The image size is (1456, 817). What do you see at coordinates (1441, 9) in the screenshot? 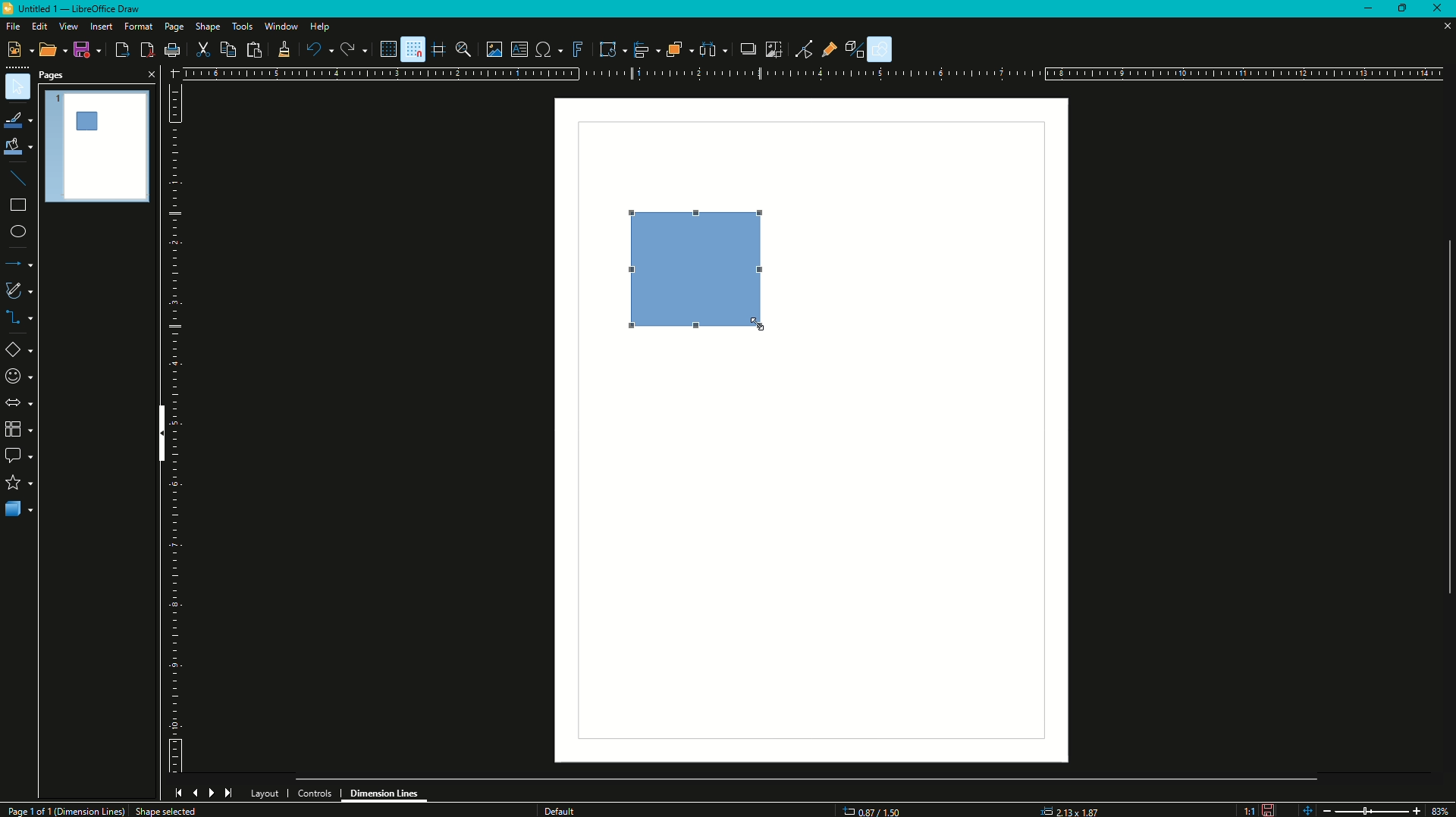
I see `Close` at bounding box center [1441, 9].